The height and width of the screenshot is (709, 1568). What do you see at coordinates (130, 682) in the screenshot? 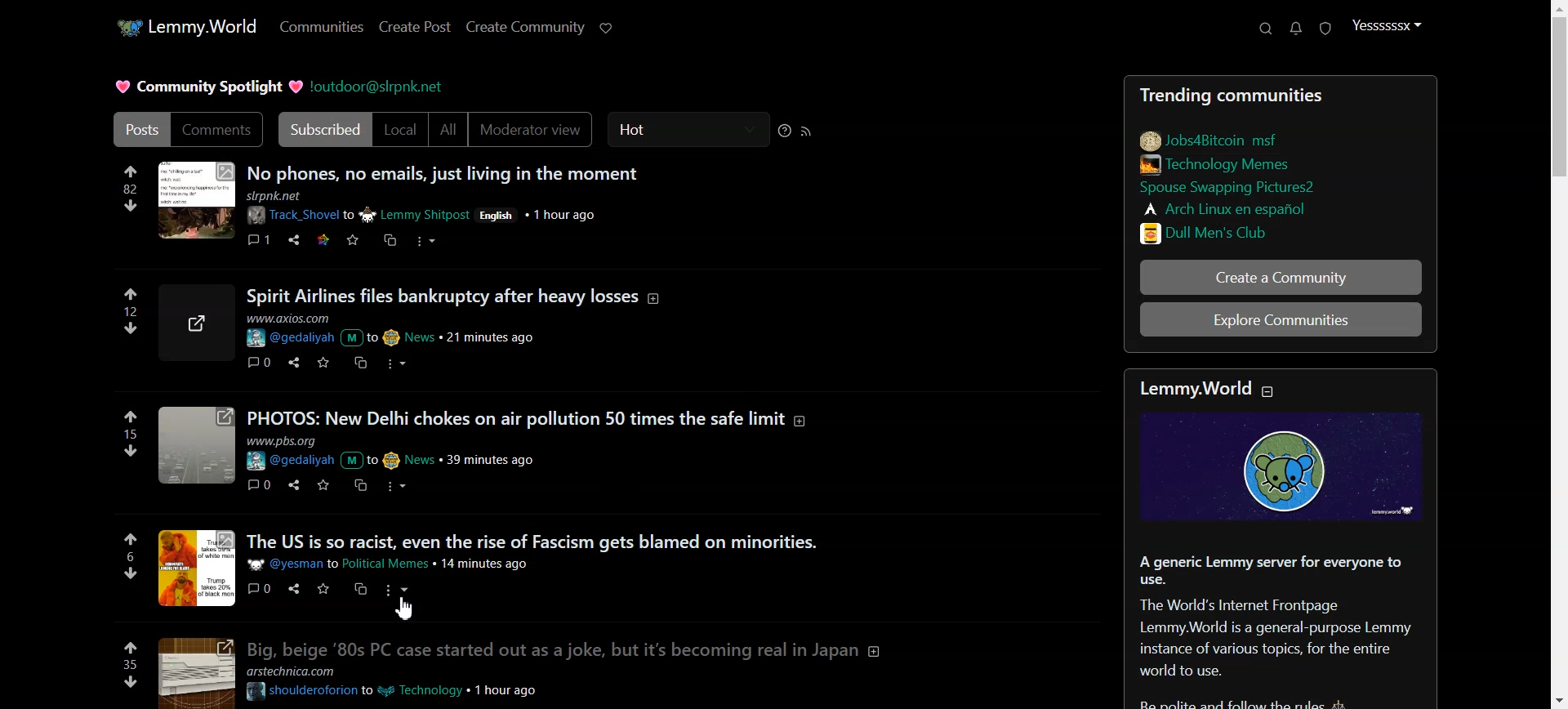
I see `downvote` at bounding box center [130, 682].